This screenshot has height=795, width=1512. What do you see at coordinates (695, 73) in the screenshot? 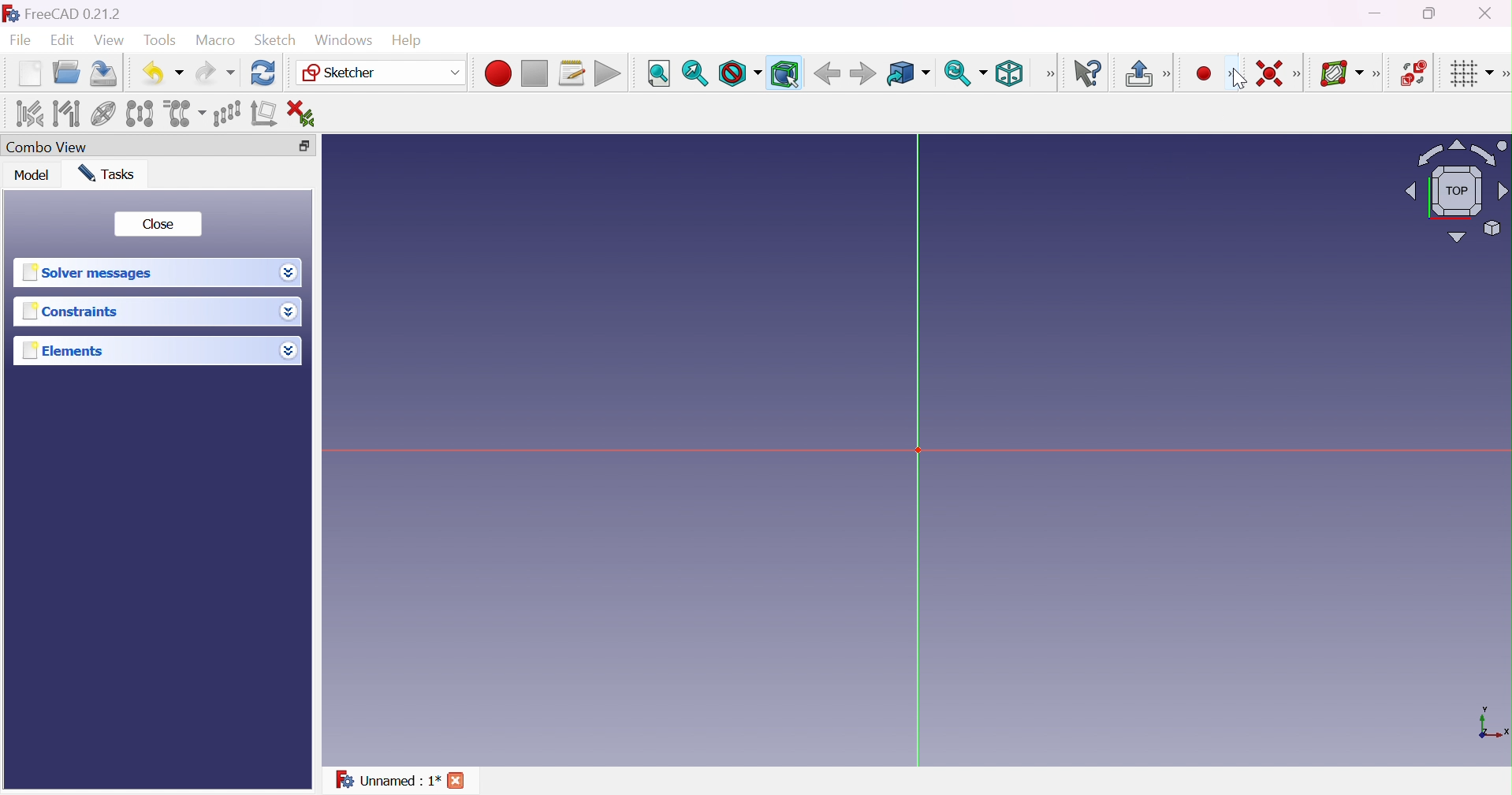
I see `Fit selection` at bounding box center [695, 73].